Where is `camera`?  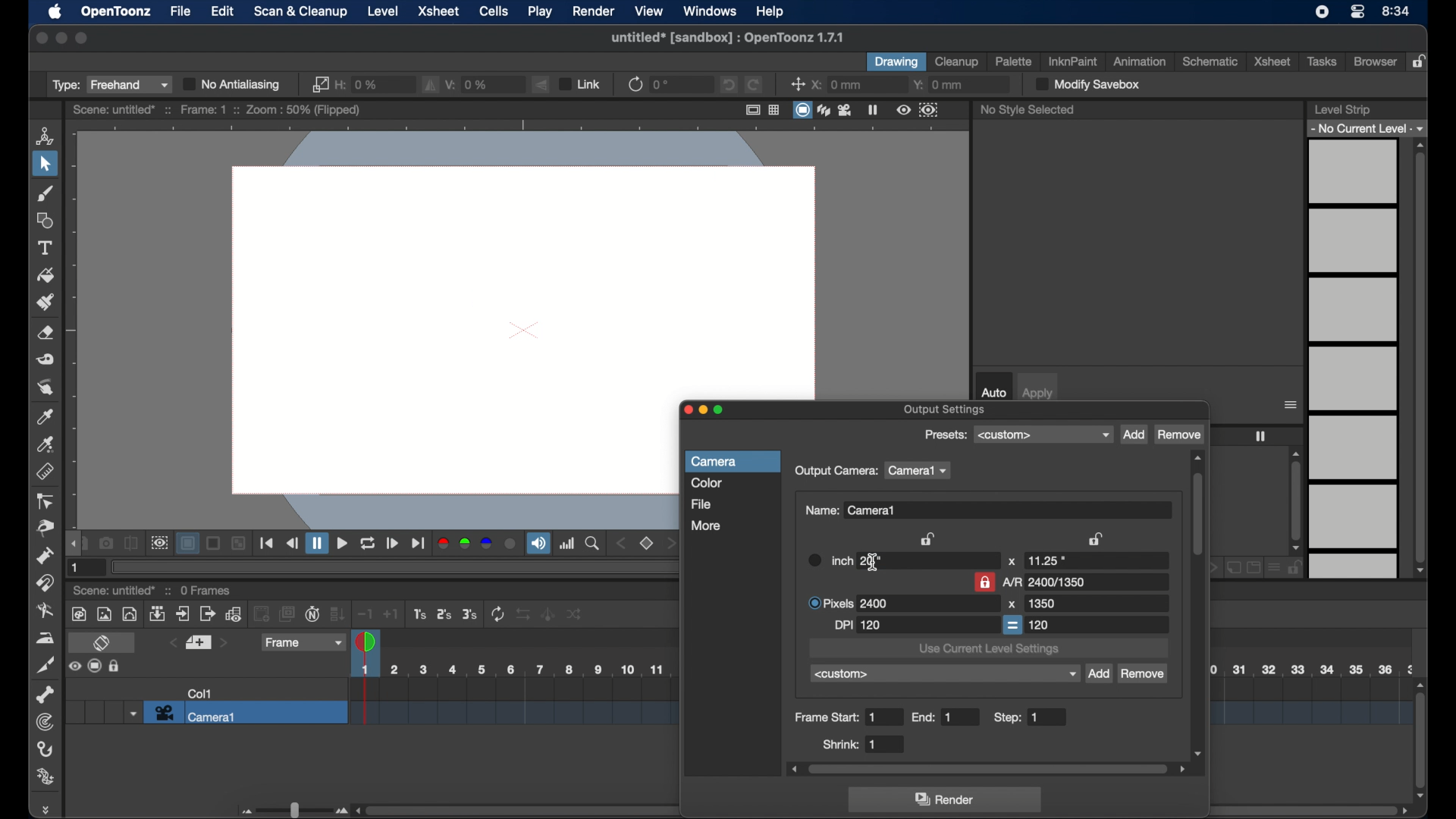
camera is located at coordinates (717, 462).